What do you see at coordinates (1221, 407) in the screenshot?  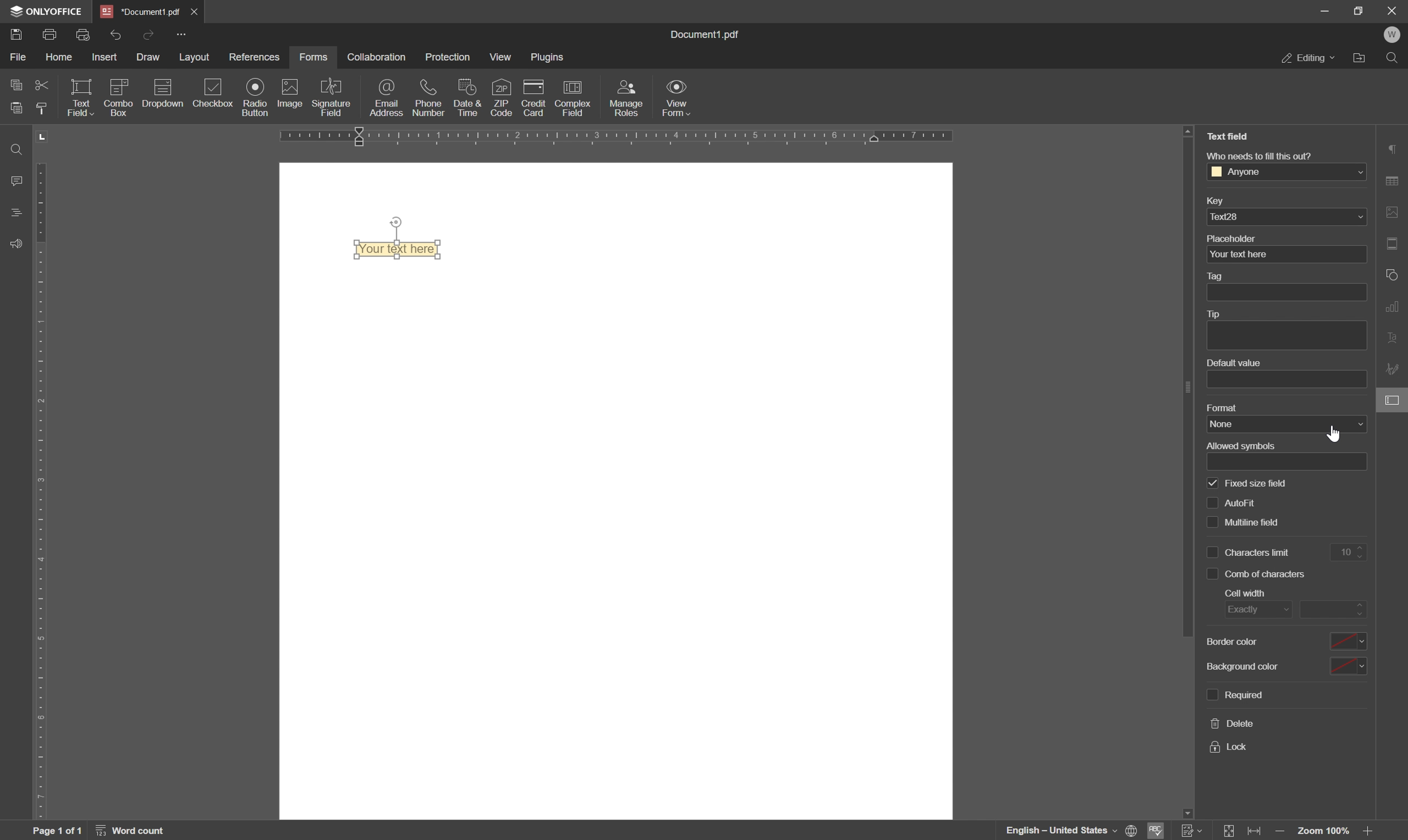 I see `format` at bounding box center [1221, 407].